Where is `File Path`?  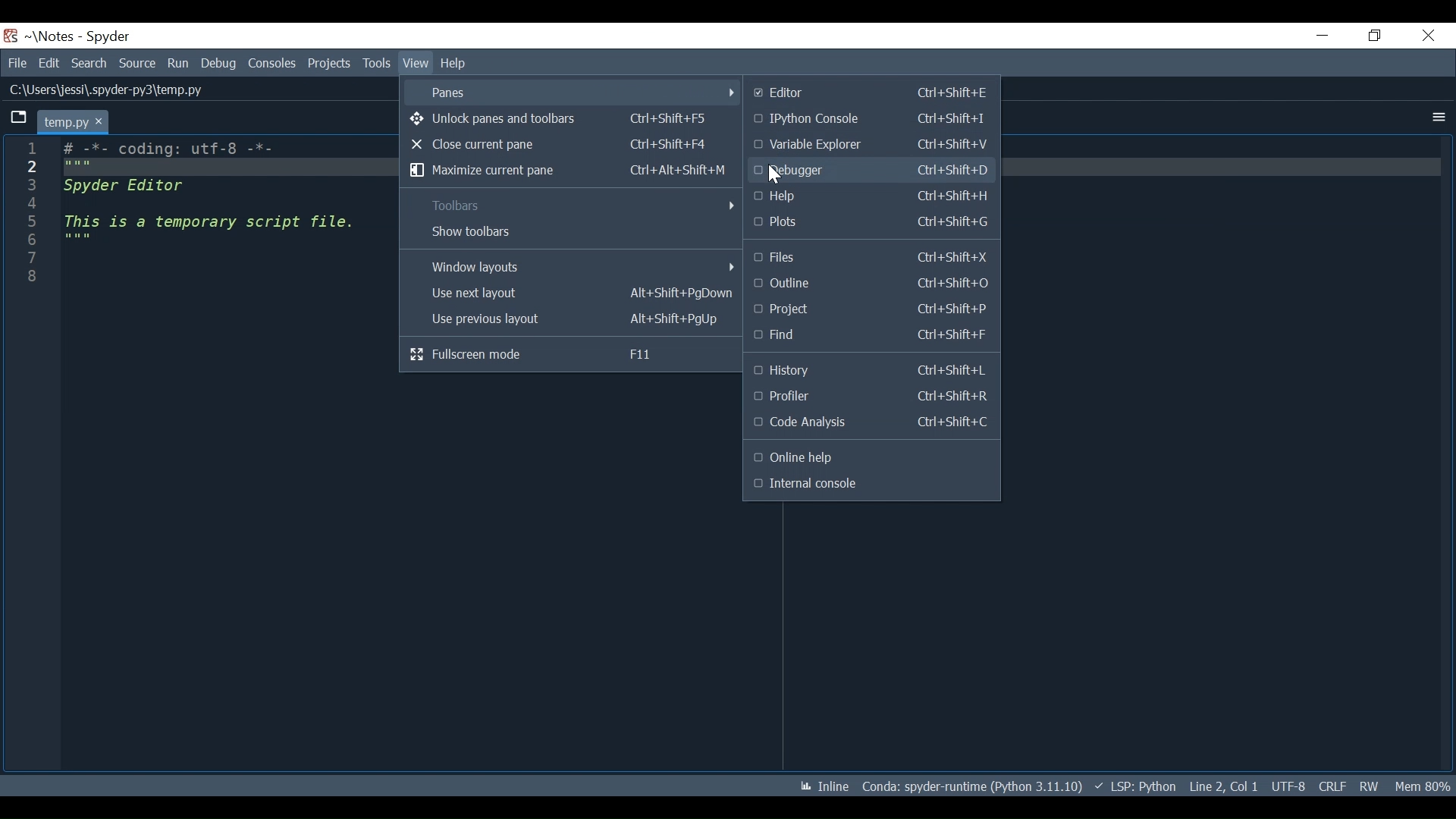
File Path is located at coordinates (103, 90).